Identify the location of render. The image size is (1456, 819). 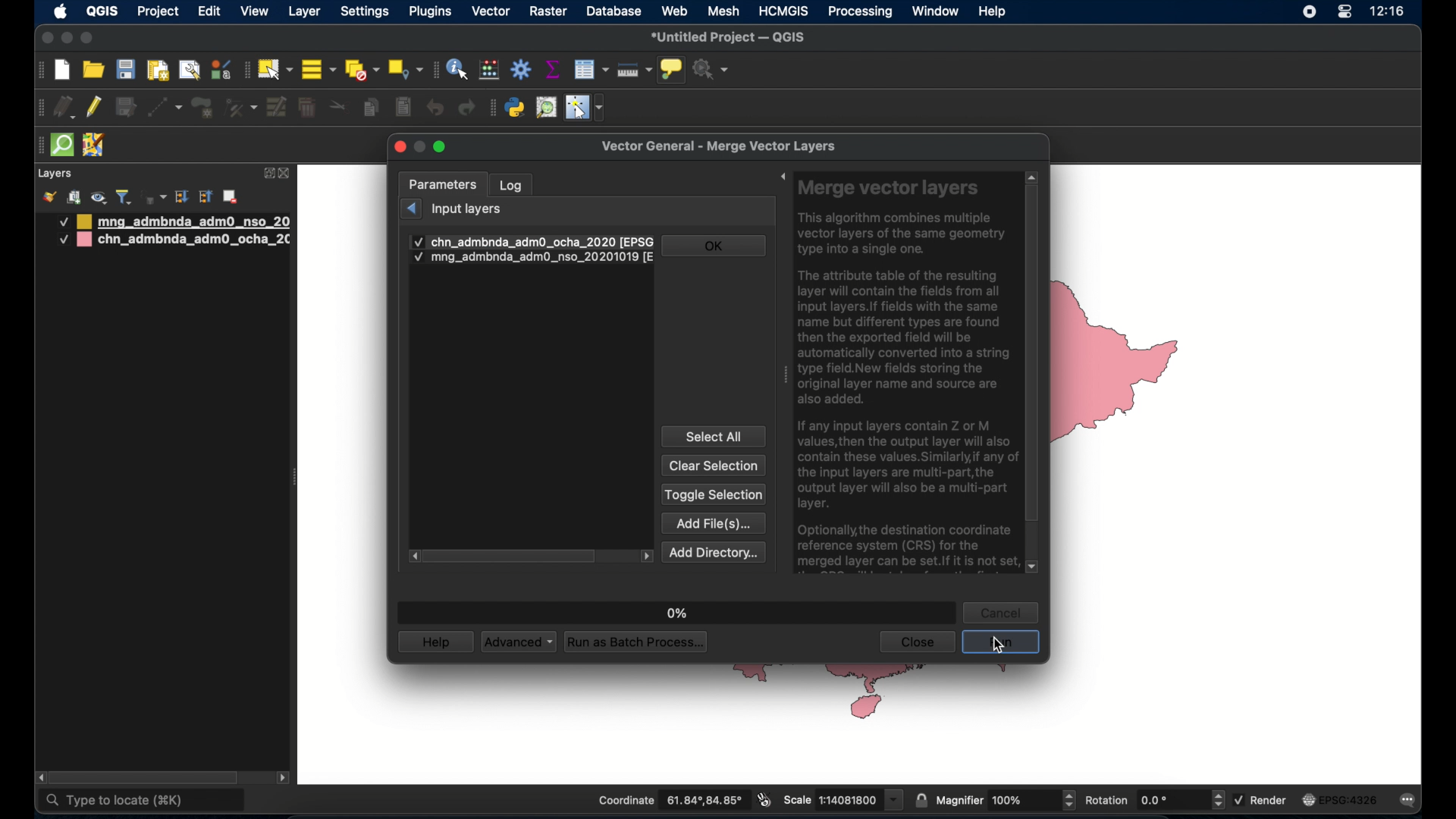
(1262, 799).